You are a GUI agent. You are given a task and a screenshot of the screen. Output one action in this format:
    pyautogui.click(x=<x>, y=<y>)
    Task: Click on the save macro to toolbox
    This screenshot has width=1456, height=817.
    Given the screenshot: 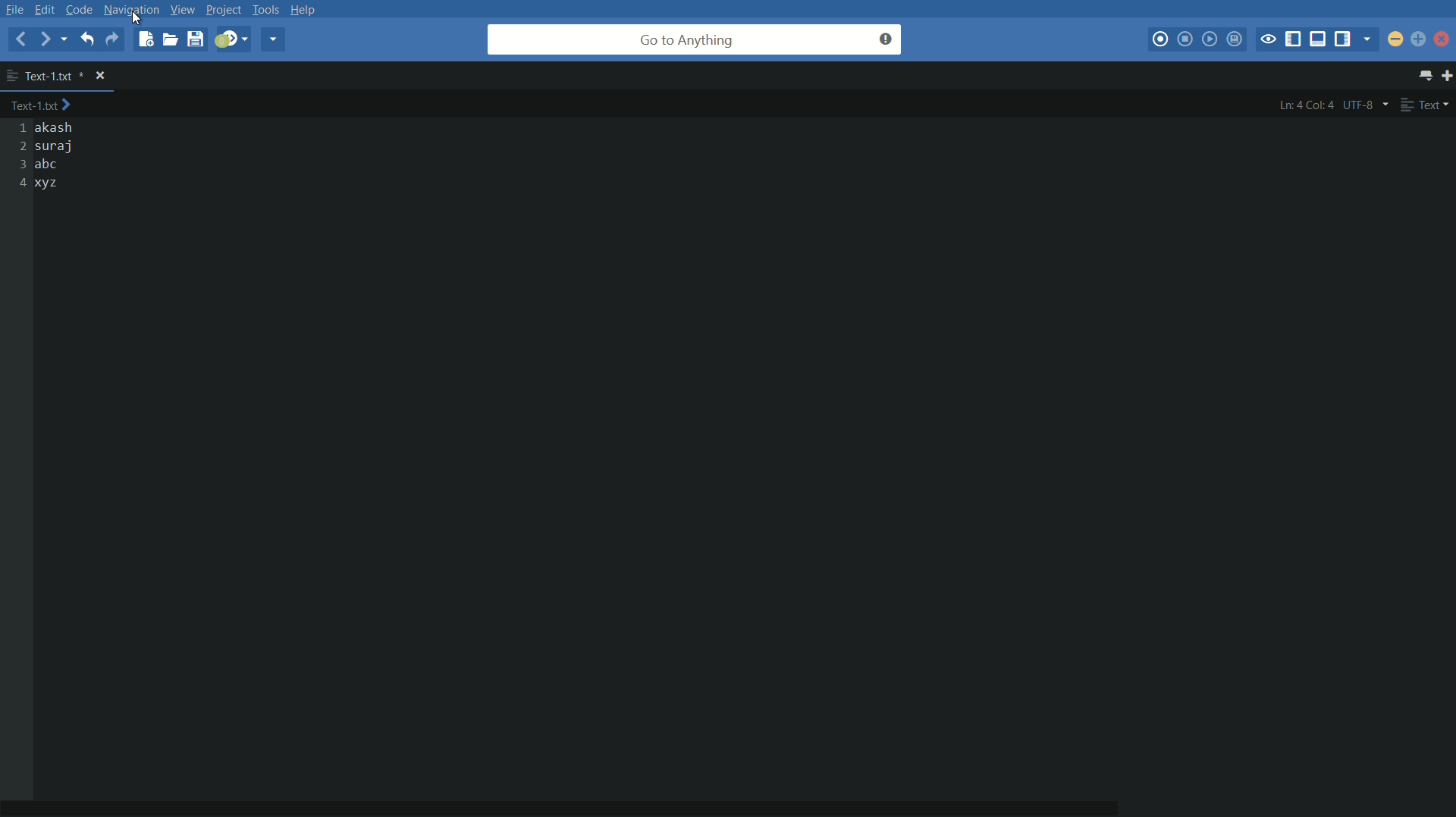 What is the action you would take?
    pyautogui.click(x=1236, y=41)
    